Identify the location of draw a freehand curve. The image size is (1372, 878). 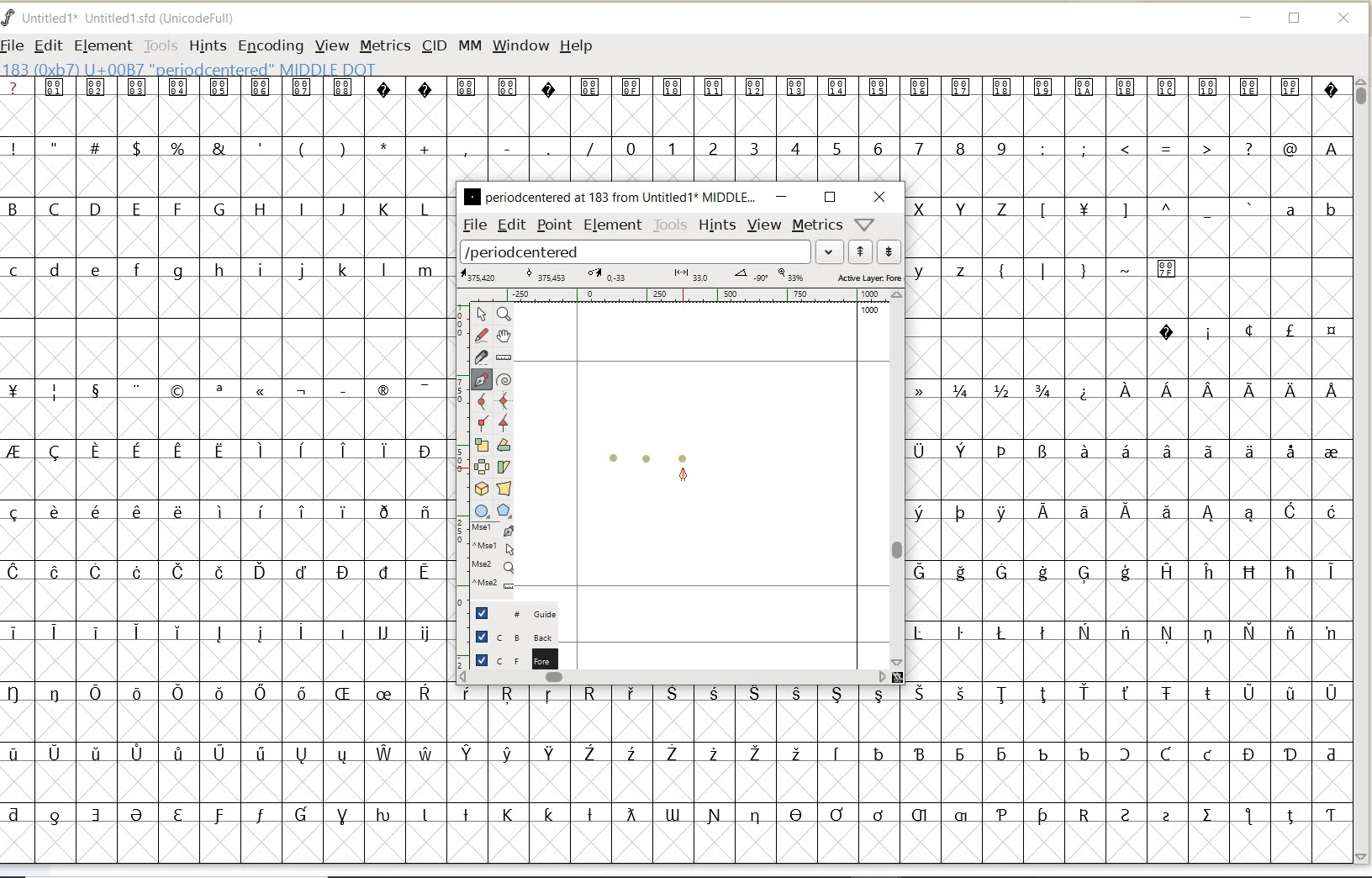
(481, 333).